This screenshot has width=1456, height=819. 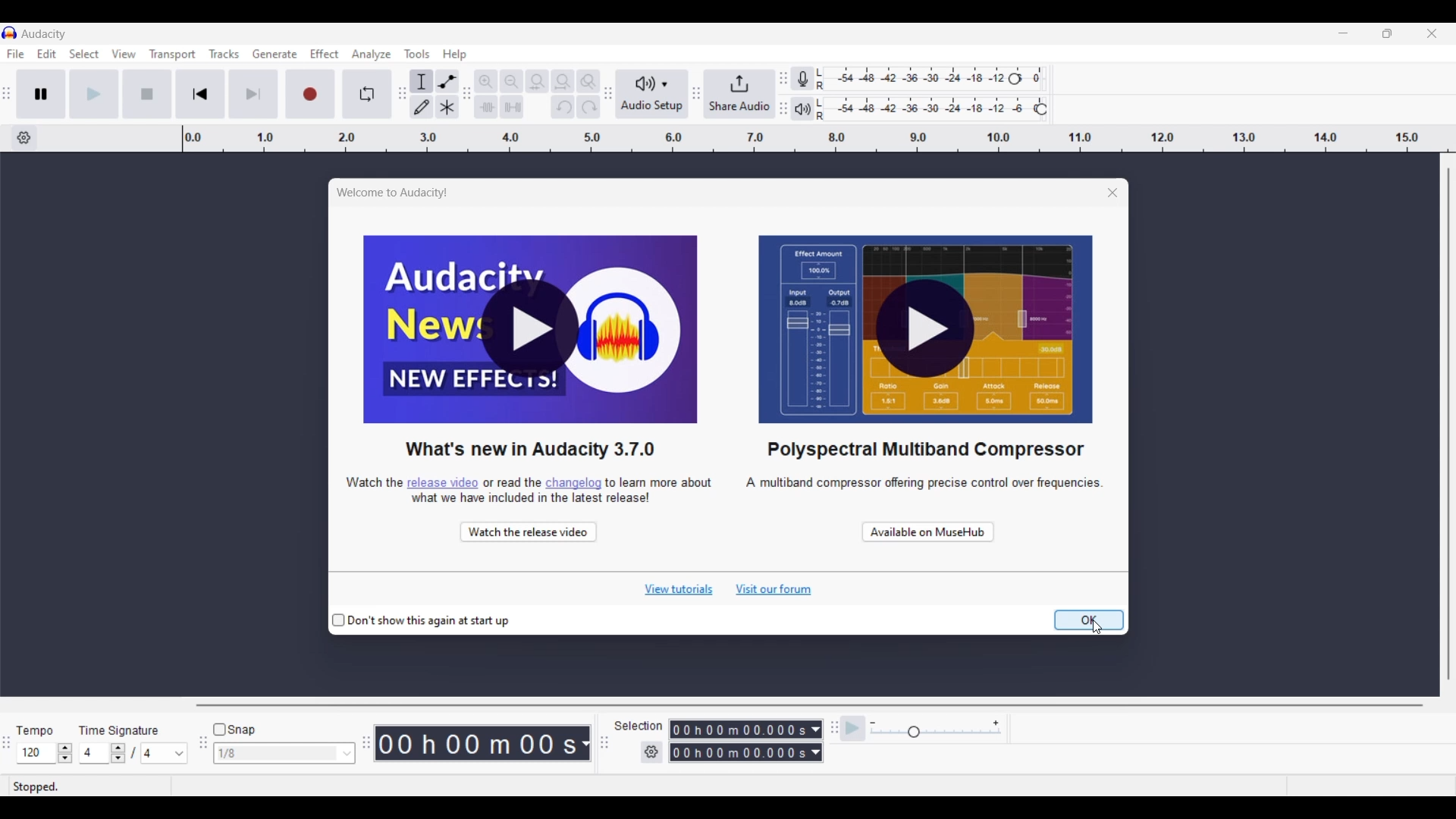 I want to click on Available on MuseHub, so click(x=927, y=529).